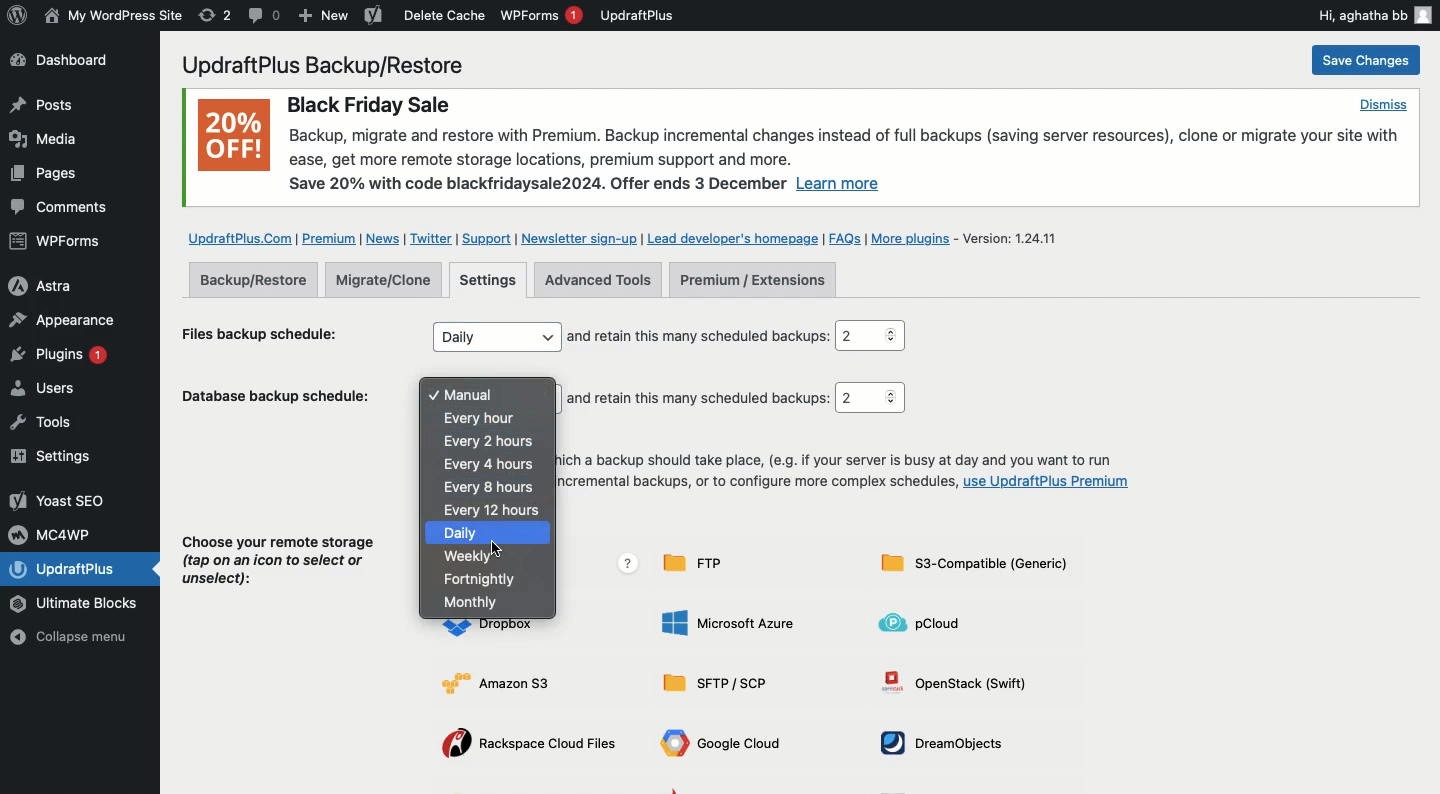 The image size is (1440, 794). Describe the element at coordinates (335, 65) in the screenshot. I see `UpdraftPlus Backup/Restore` at that location.